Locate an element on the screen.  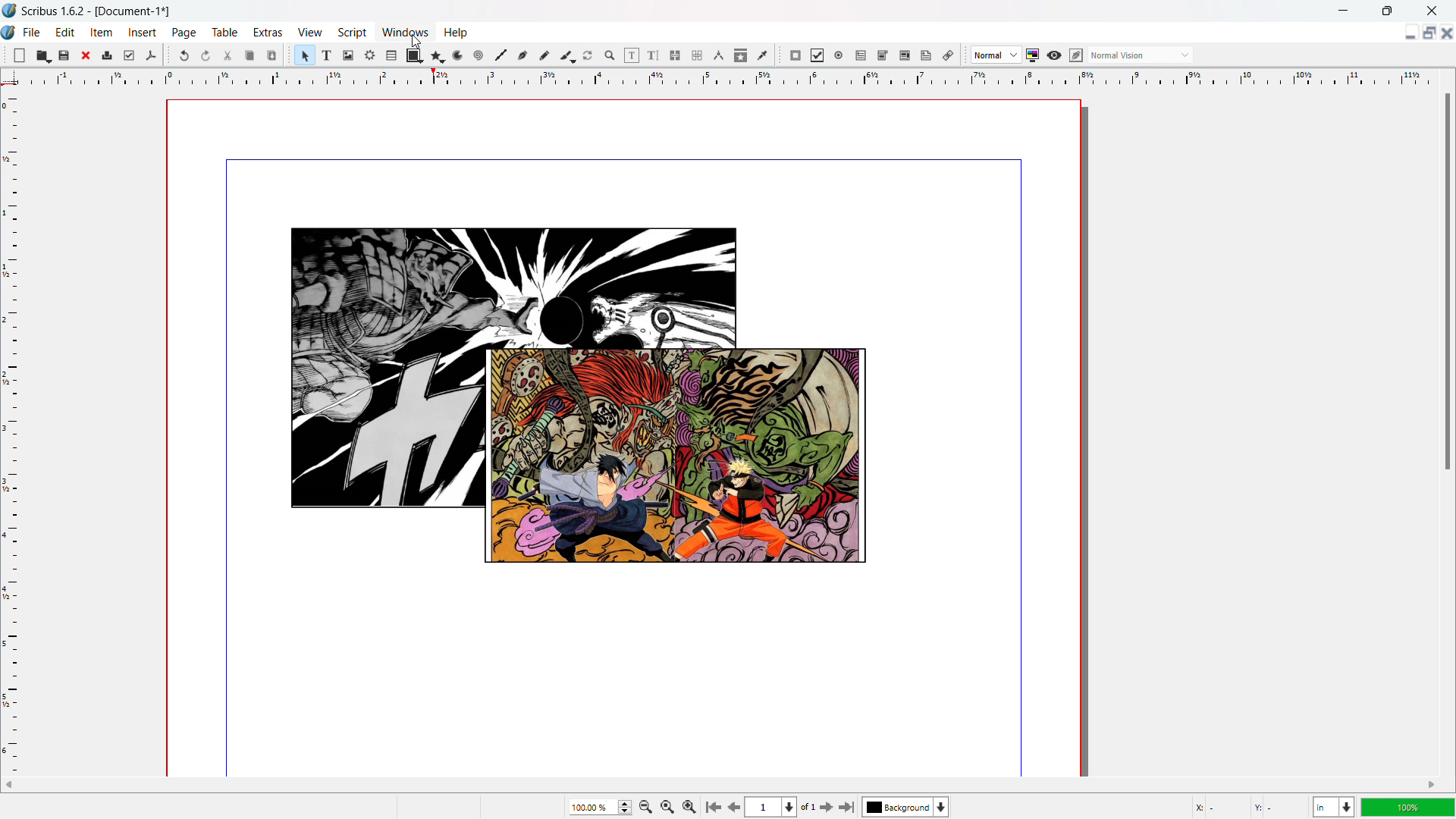
image frame is located at coordinates (349, 55).